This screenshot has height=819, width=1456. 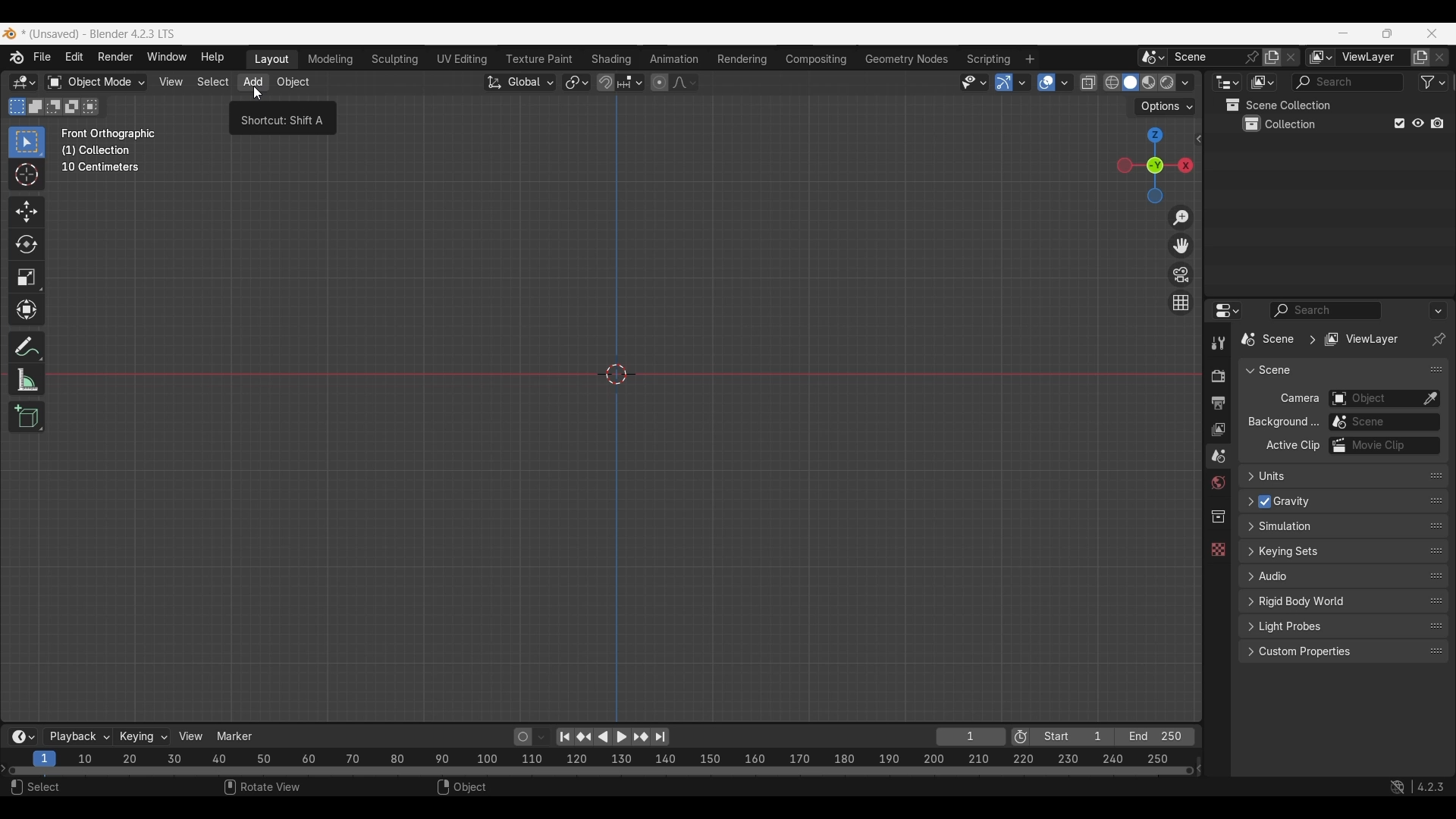 What do you see at coordinates (1387, 33) in the screenshot?
I see `Show interface in a smaller tab` at bounding box center [1387, 33].